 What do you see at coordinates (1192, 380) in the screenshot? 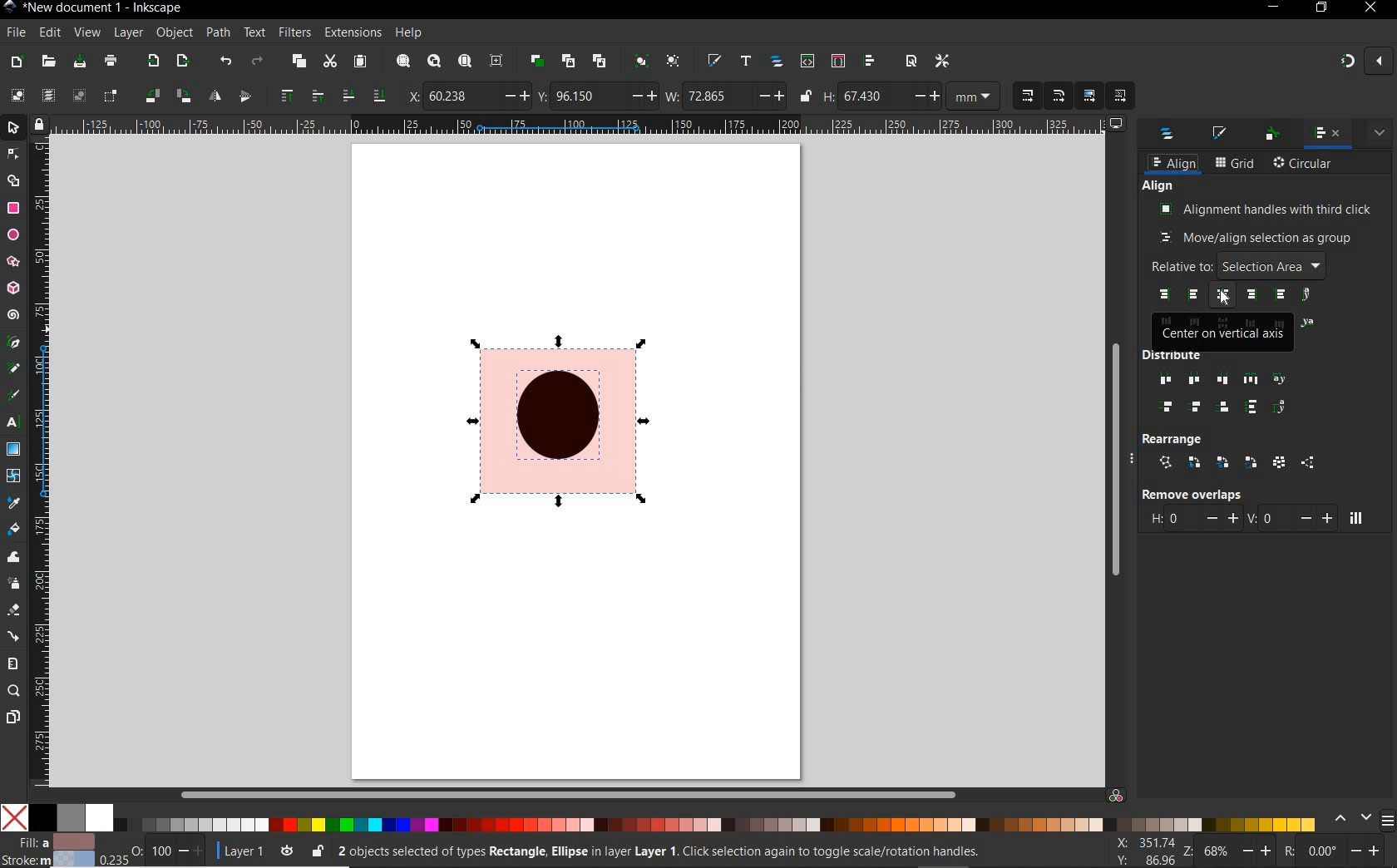
I see `EVEN HORIZONTAL CENTERS` at bounding box center [1192, 380].